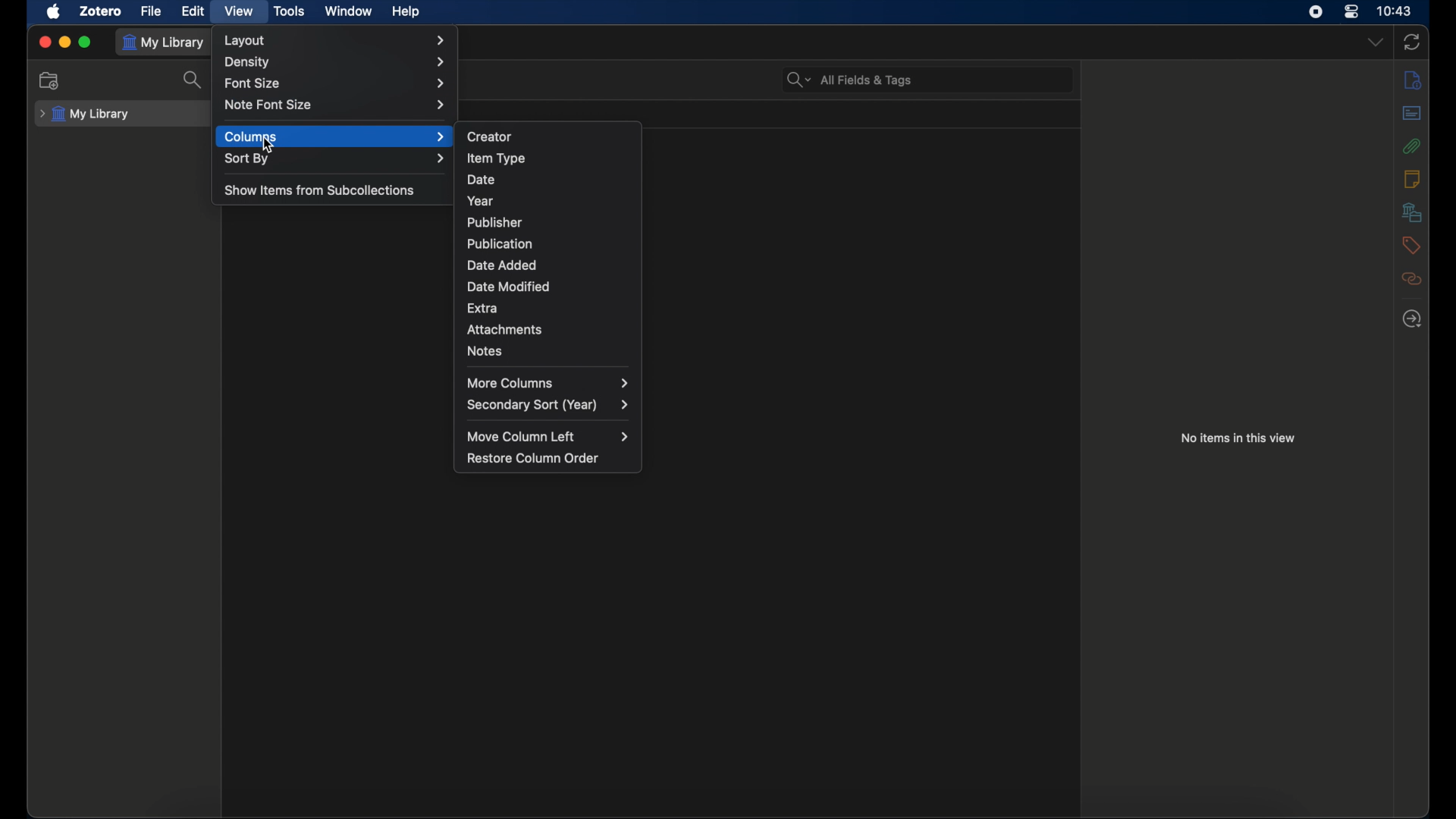 The height and width of the screenshot is (819, 1456). What do you see at coordinates (335, 159) in the screenshot?
I see `sort by` at bounding box center [335, 159].